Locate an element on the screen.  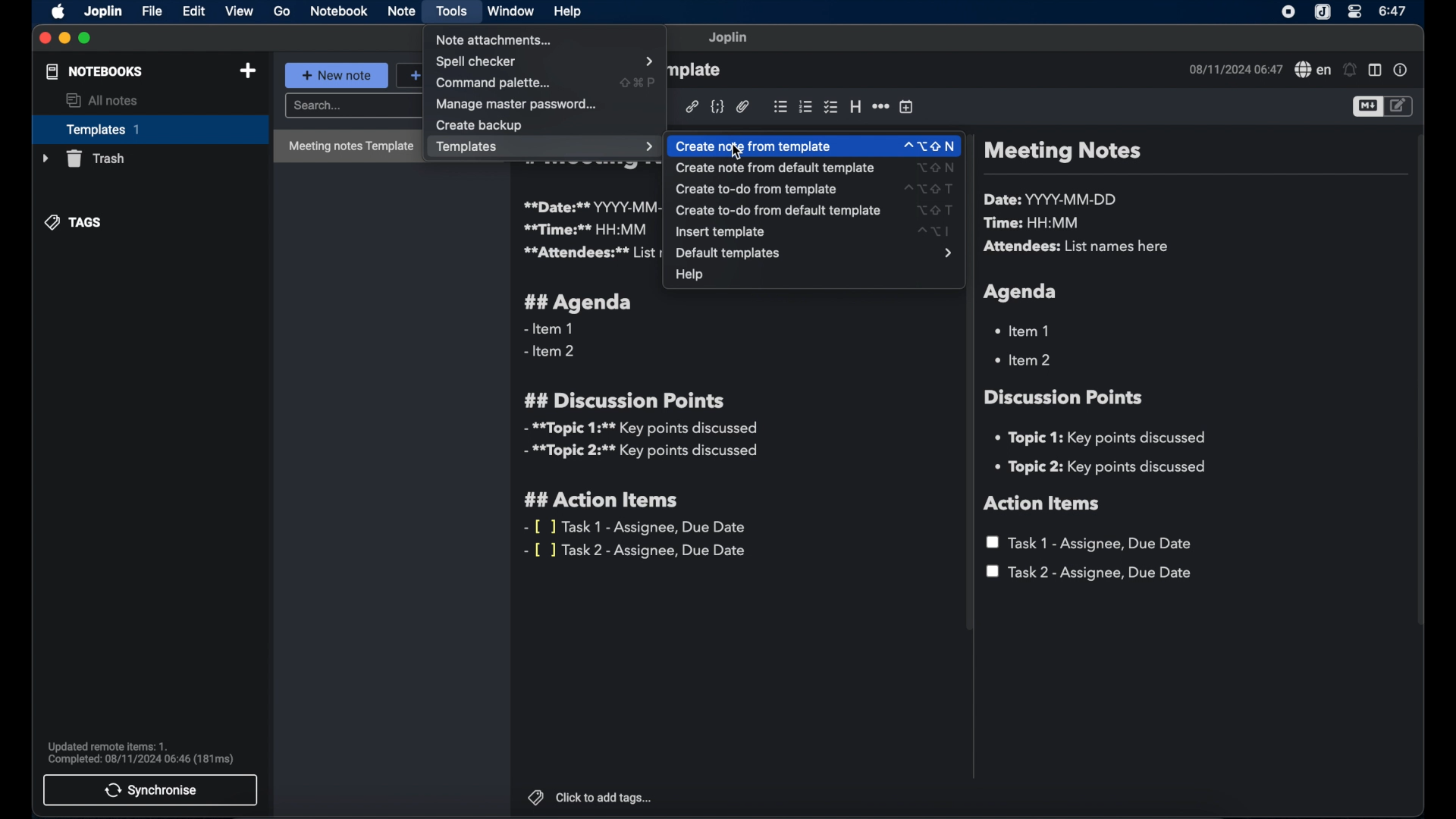
obscure is located at coordinates (697, 71).